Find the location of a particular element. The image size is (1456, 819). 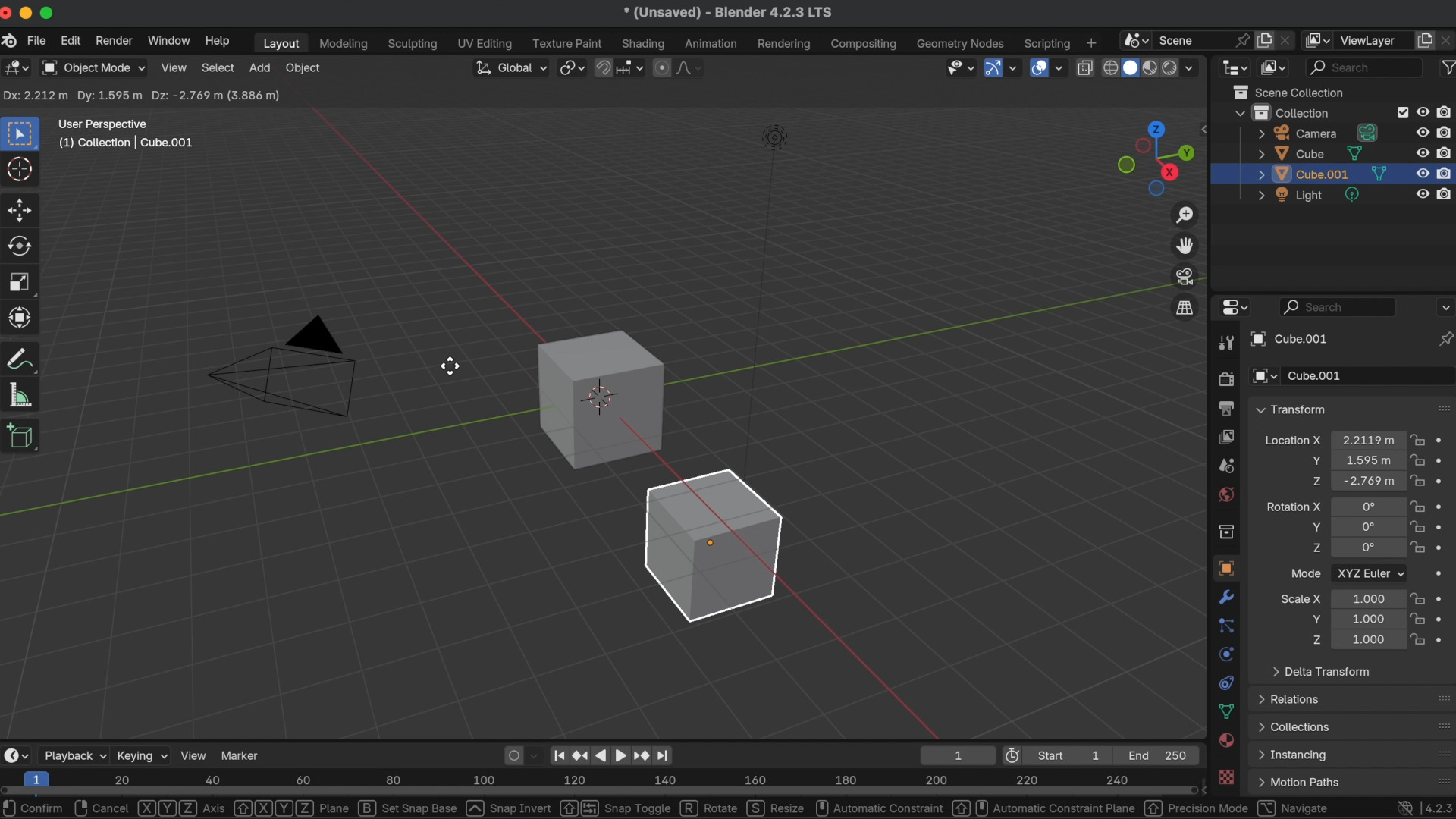

minimize is located at coordinates (29, 13).